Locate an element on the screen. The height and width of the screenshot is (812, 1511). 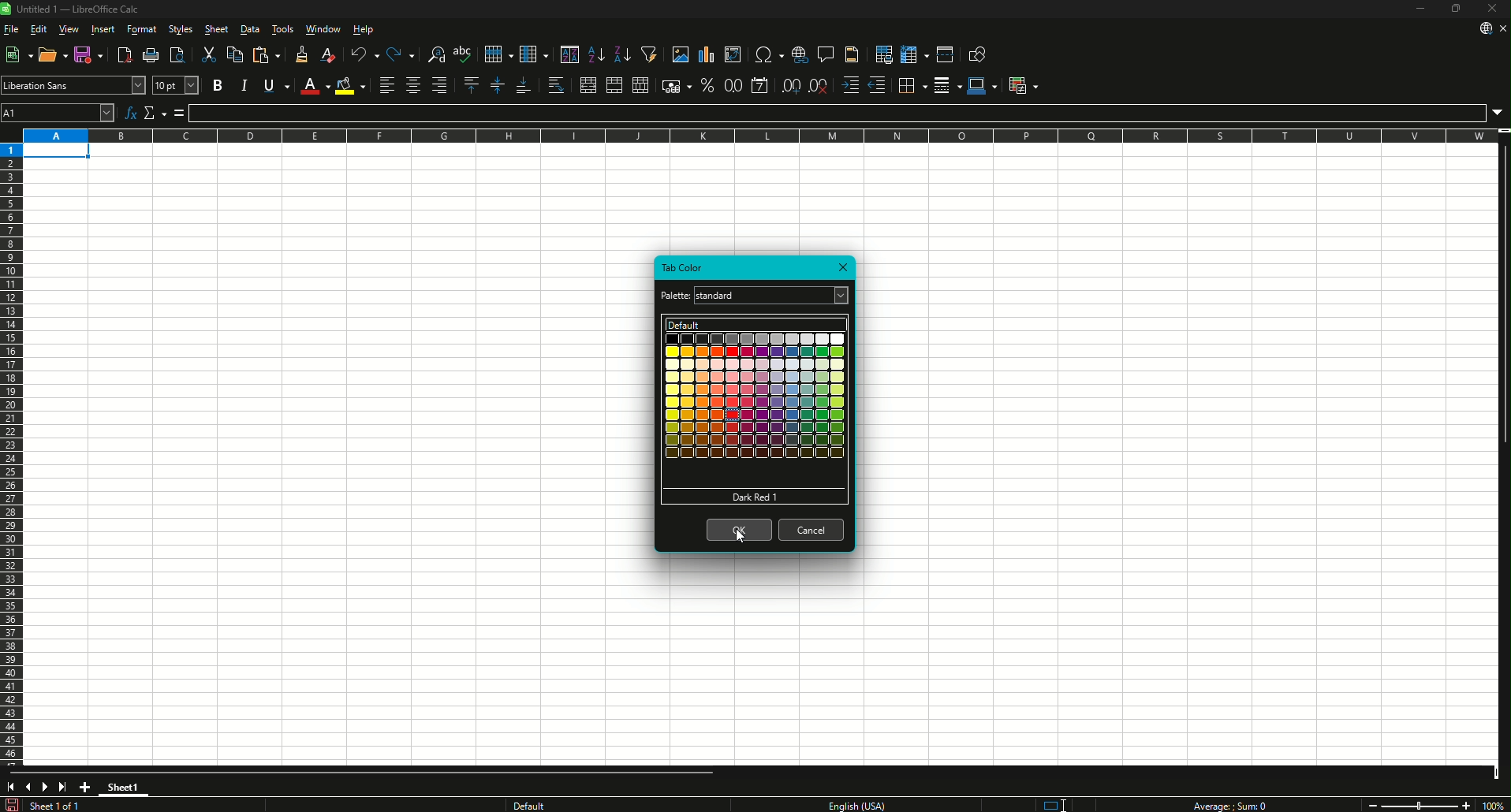
OK is located at coordinates (740, 530).